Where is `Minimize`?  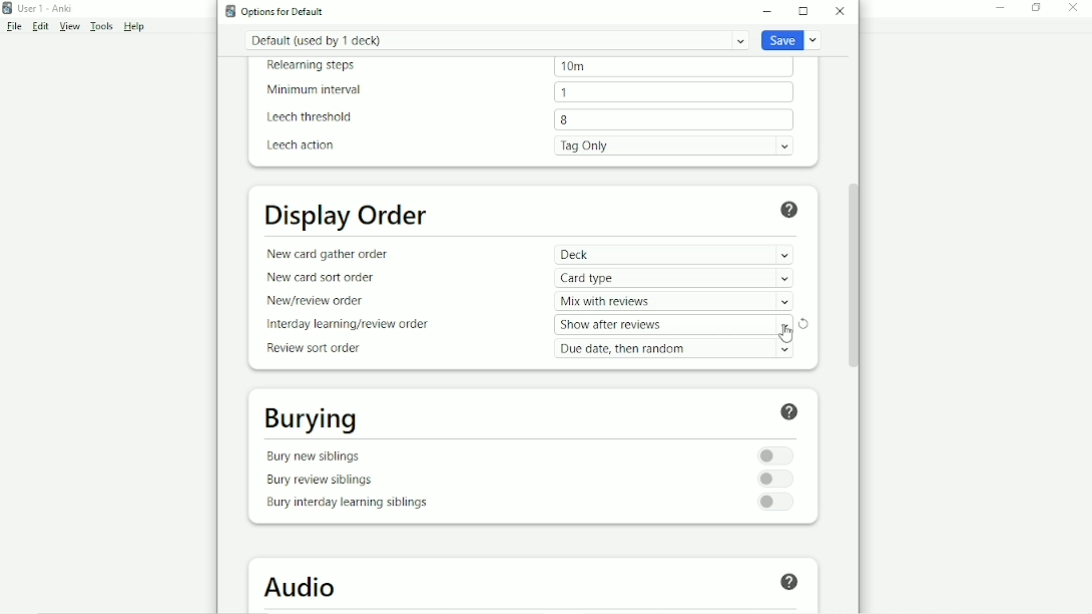 Minimize is located at coordinates (1001, 9).